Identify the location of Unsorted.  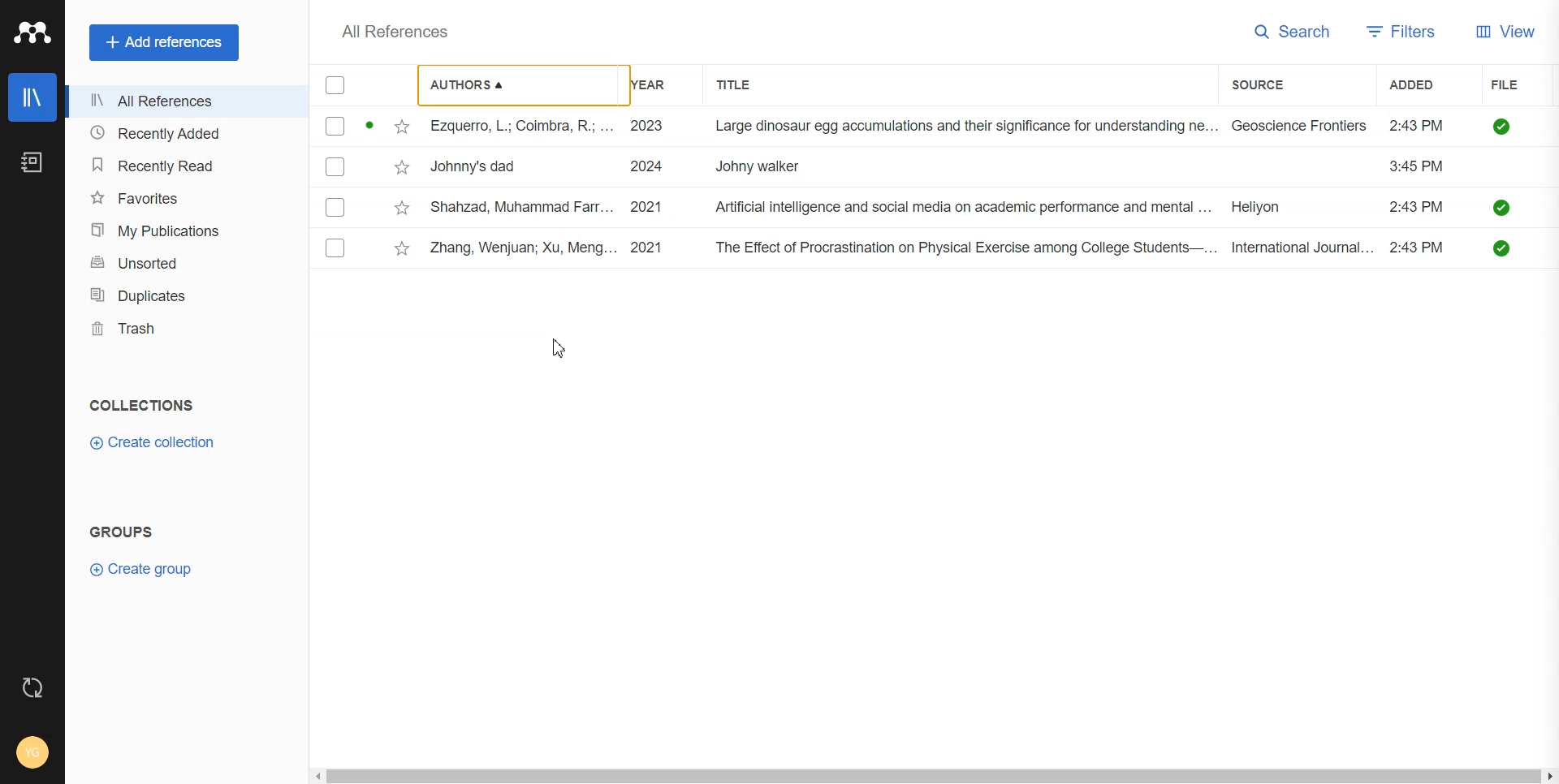
(180, 262).